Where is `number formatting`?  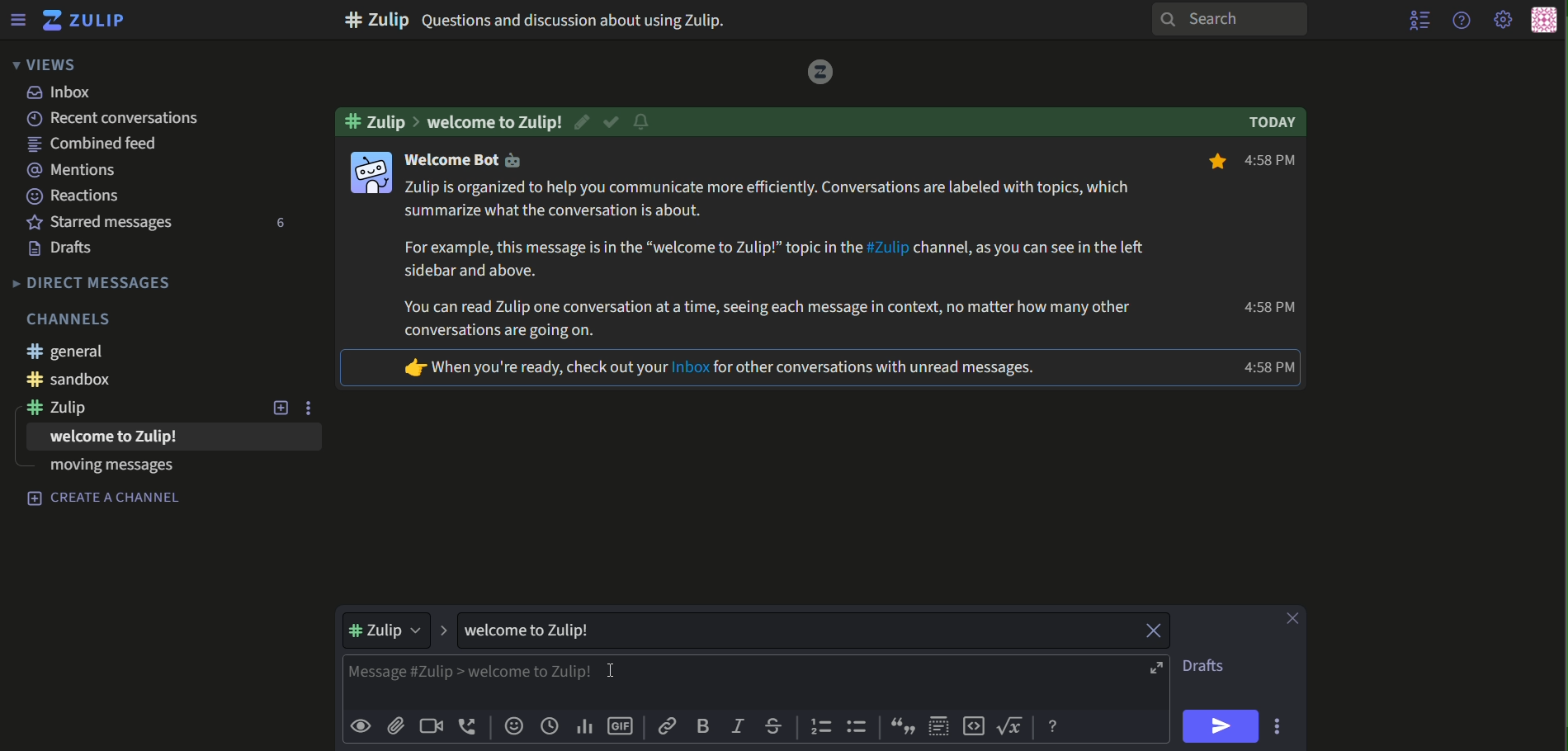 number formatting is located at coordinates (819, 728).